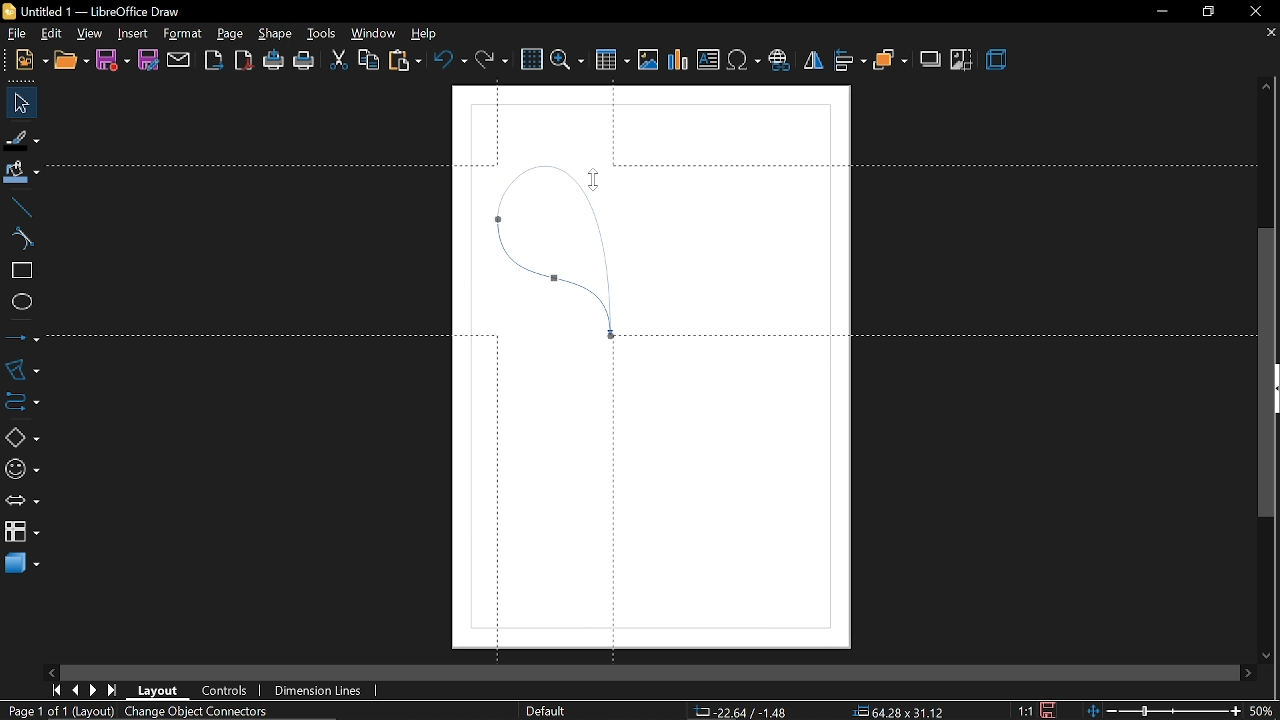  Describe the element at coordinates (653, 365) in the screenshot. I see `Canvas` at that location.